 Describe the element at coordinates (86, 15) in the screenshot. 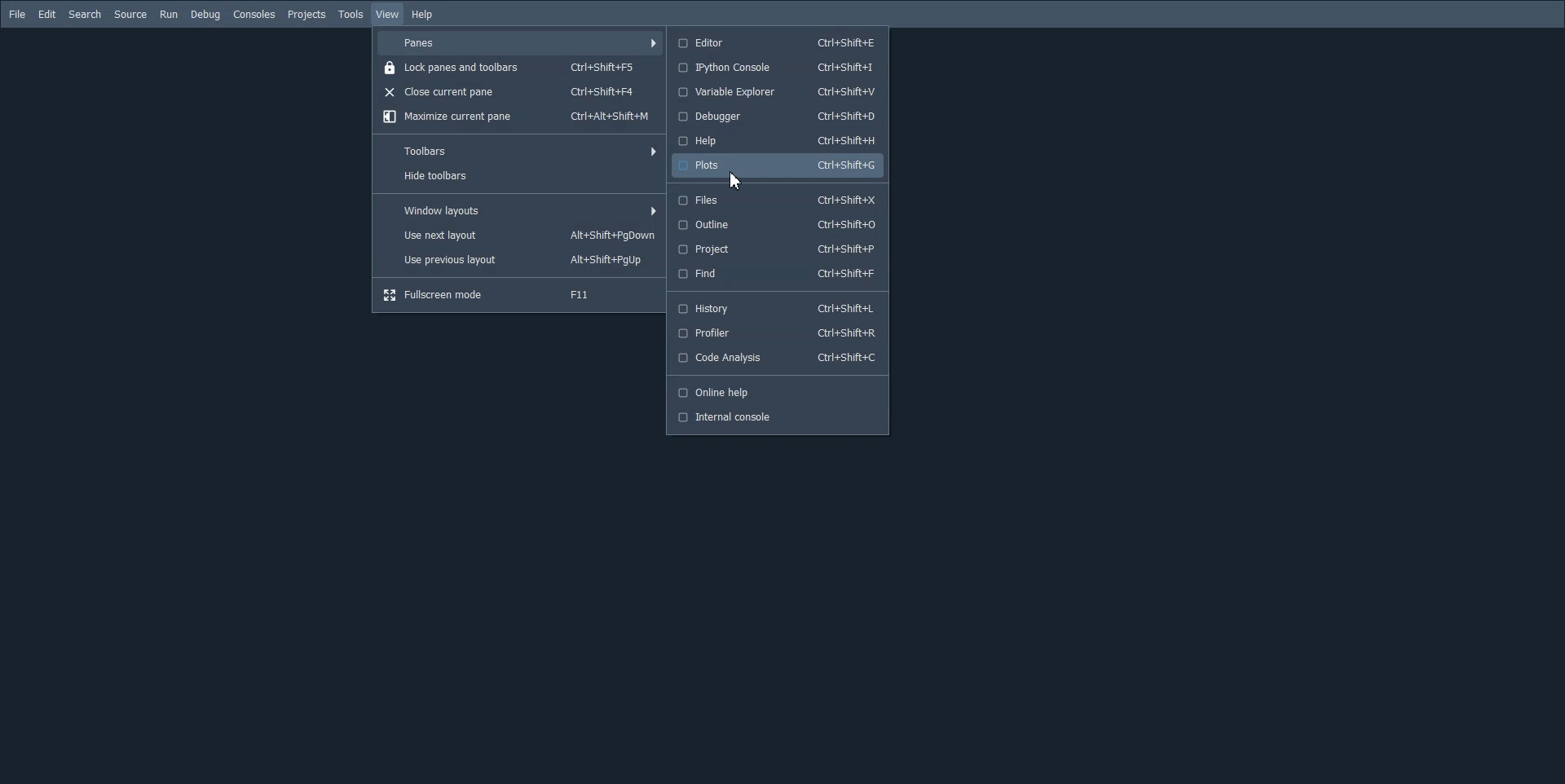

I see `Search` at that location.